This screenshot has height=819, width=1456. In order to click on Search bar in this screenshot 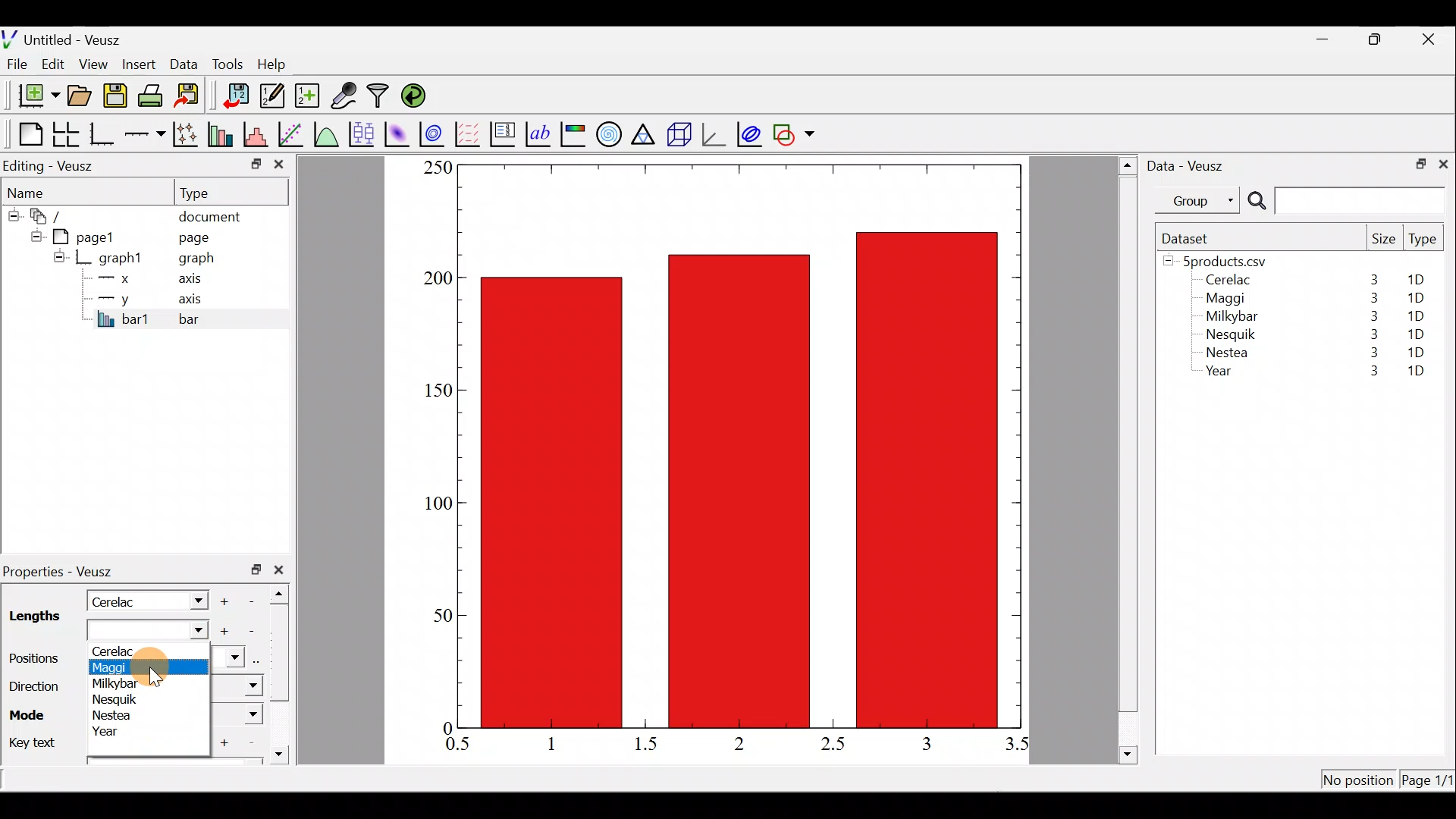, I will do `click(1344, 201)`.